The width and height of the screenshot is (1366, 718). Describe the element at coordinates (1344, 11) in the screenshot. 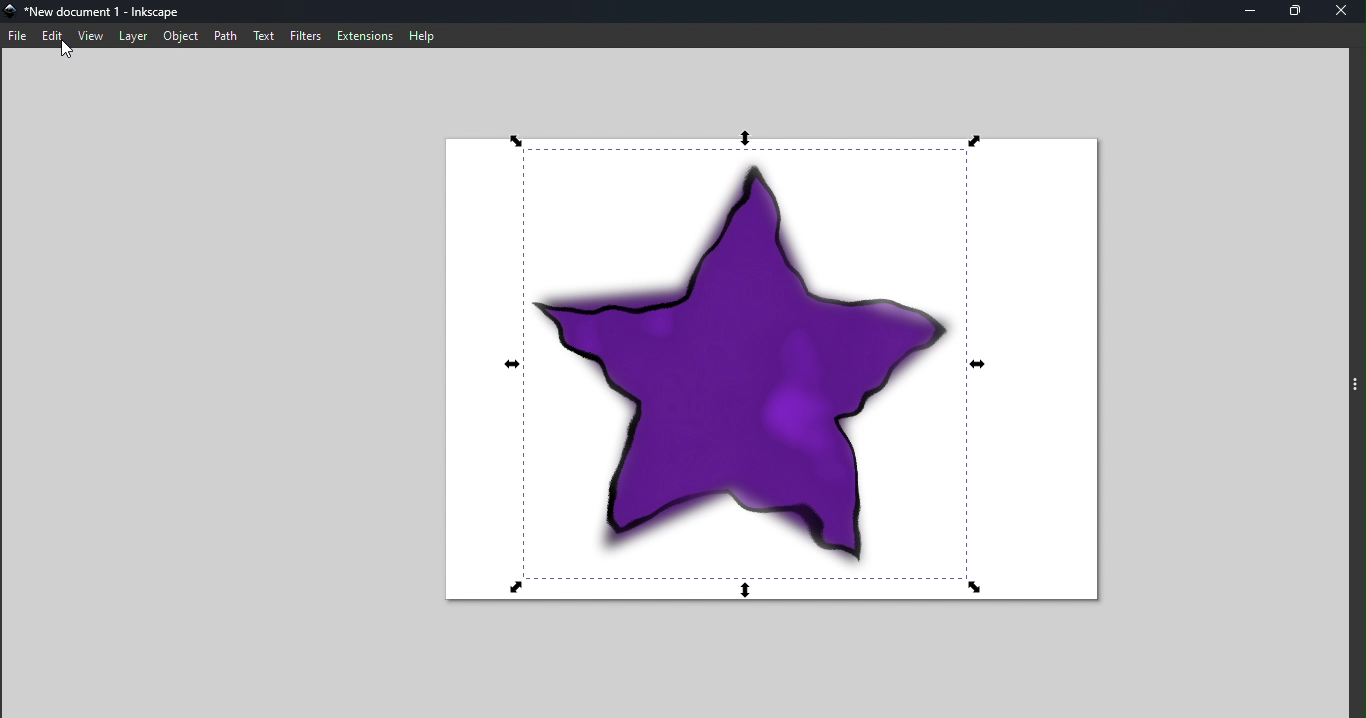

I see `Close` at that location.